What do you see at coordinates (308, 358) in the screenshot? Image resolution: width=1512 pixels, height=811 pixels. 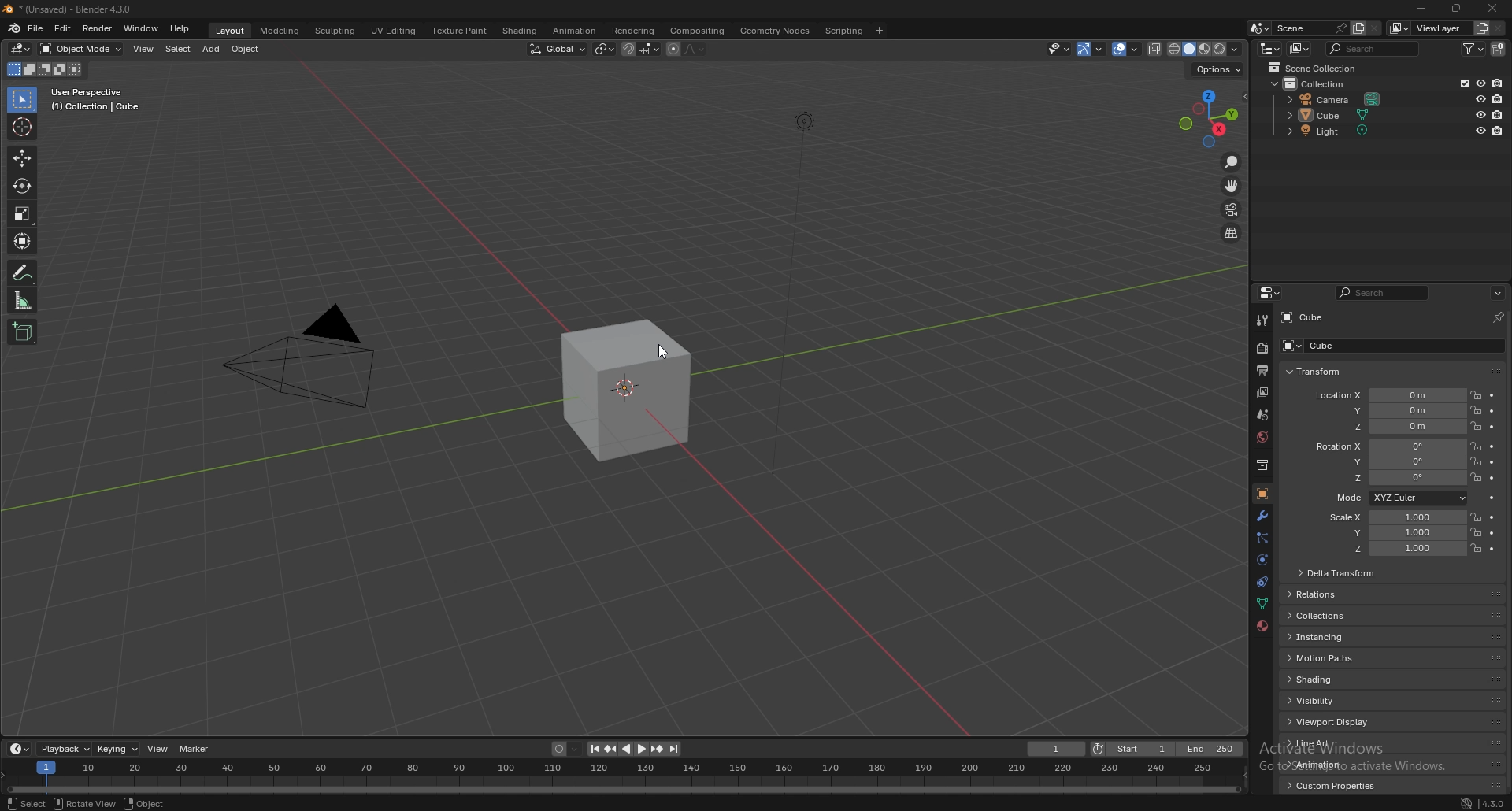 I see `PYRAMID` at bounding box center [308, 358].